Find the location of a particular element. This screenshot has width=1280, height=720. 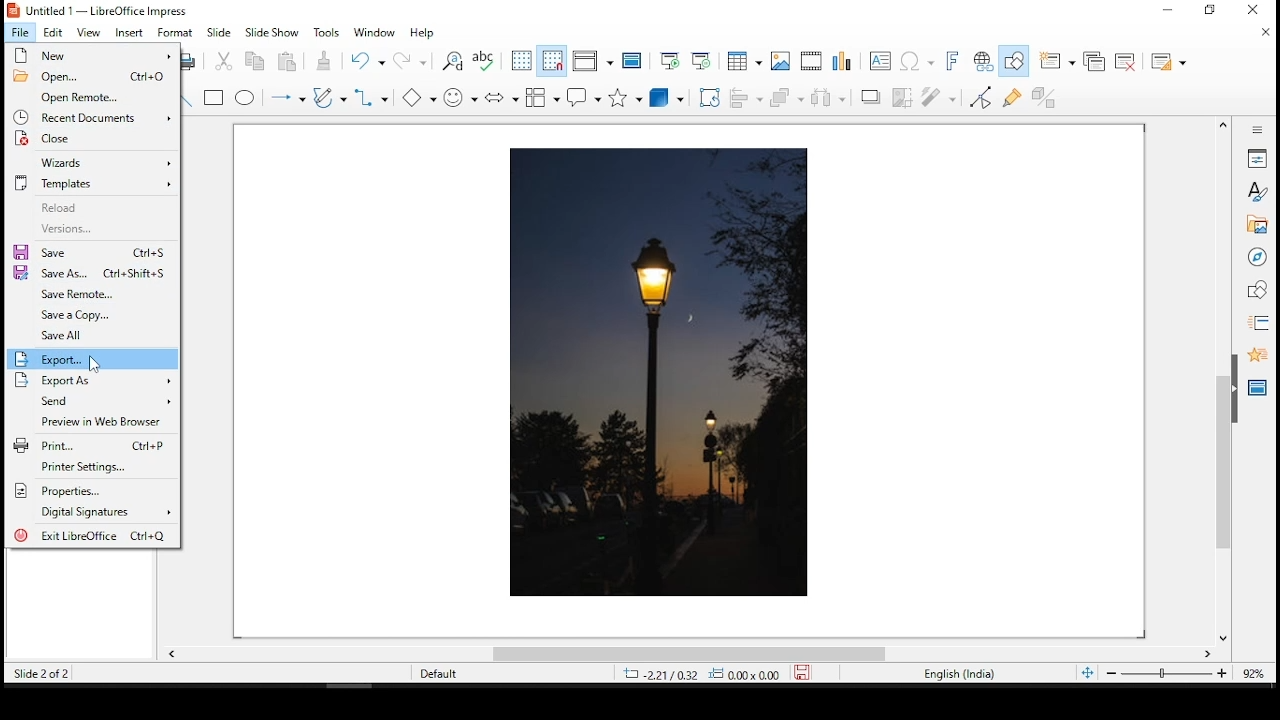

wizards is located at coordinates (97, 163).